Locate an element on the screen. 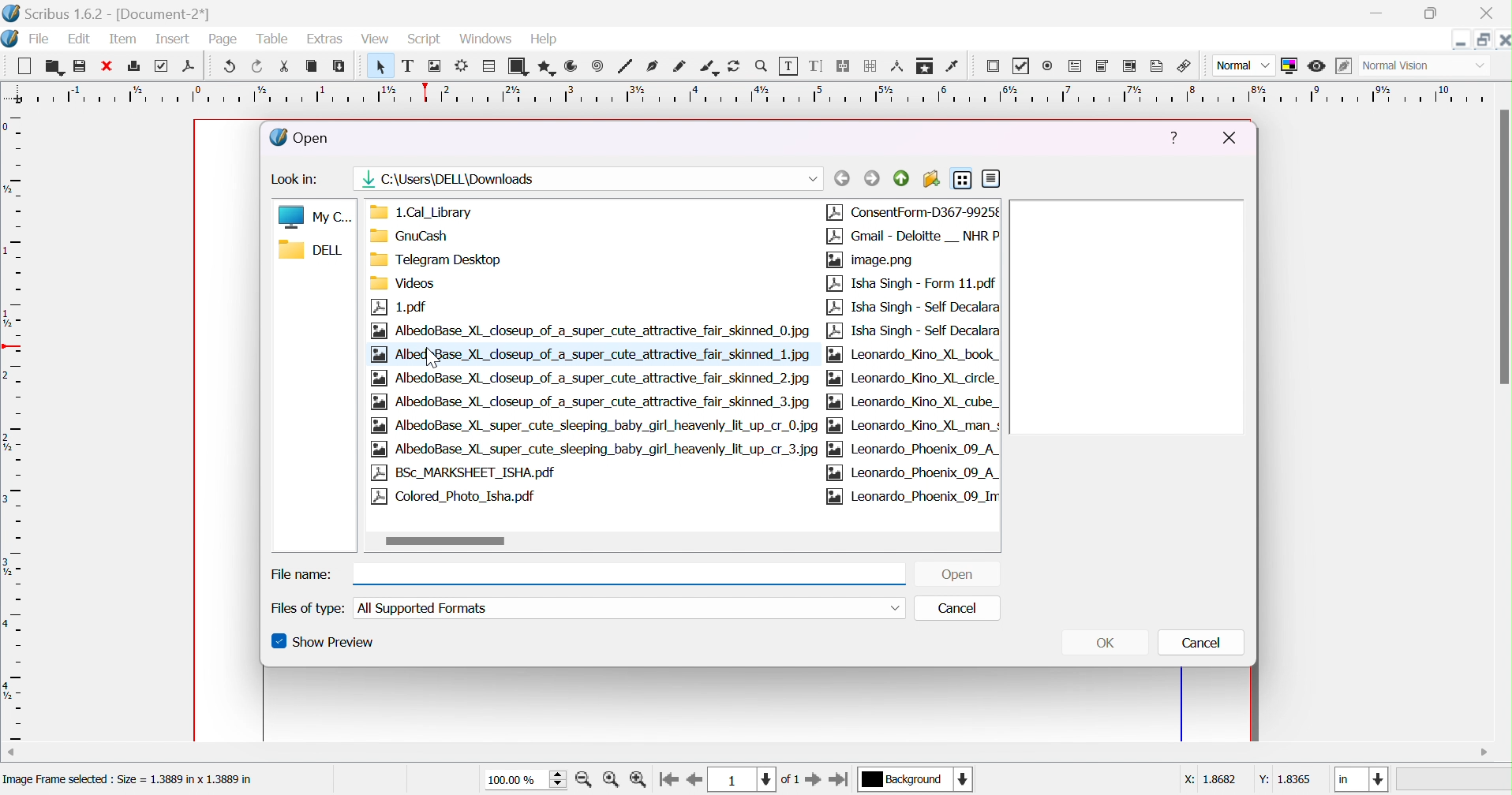  1.pdf is located at coordinates (395, 308).